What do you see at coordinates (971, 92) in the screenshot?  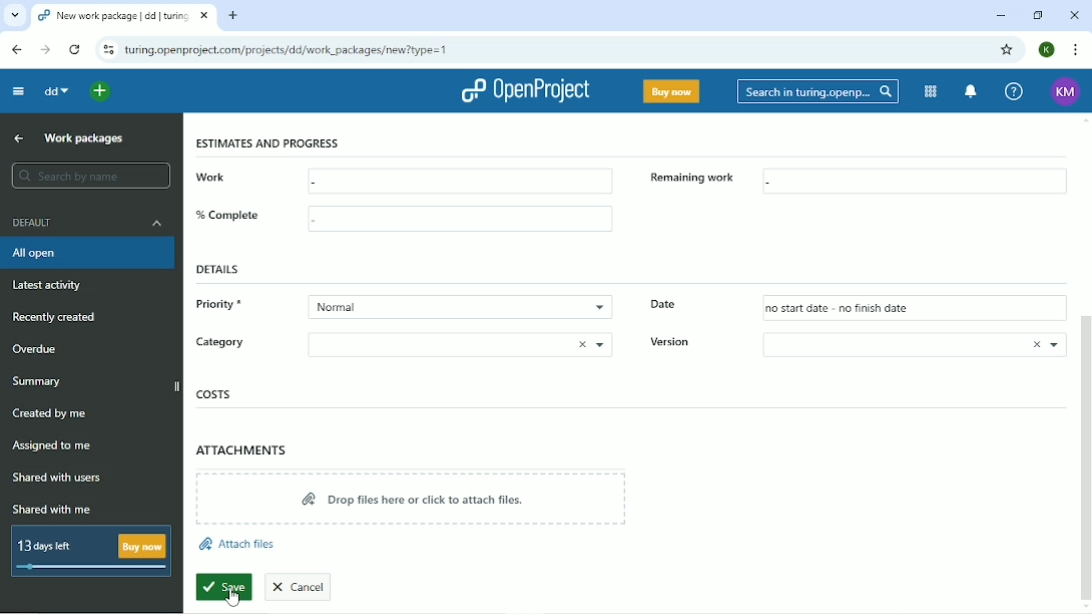 I see `To notification center` at bounding box center [971, 92].